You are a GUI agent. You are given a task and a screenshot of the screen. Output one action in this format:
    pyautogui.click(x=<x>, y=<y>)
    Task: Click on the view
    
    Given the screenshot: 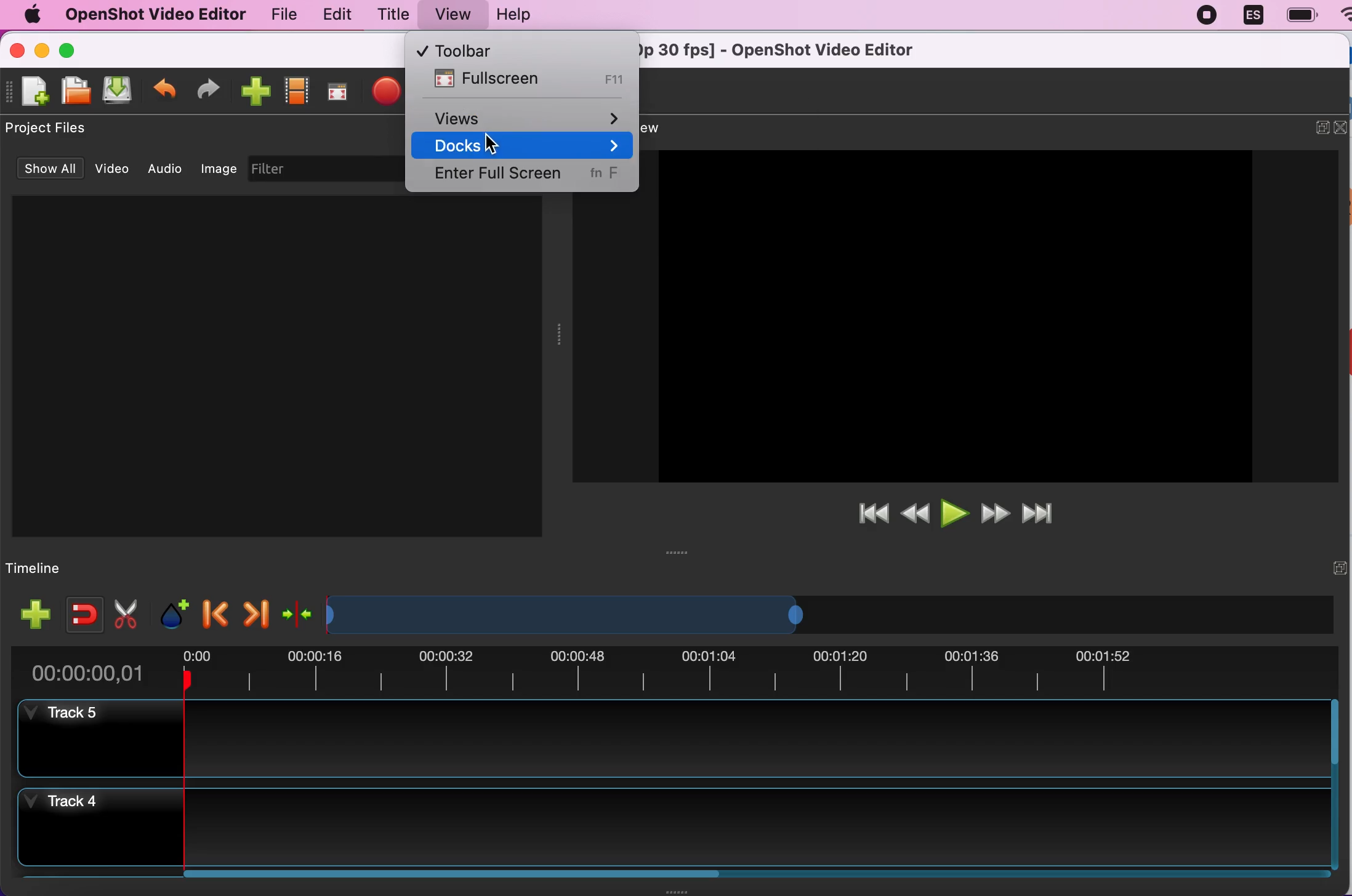 What is the action you would take?
    pyautogui.click(x=446, y=15)
    